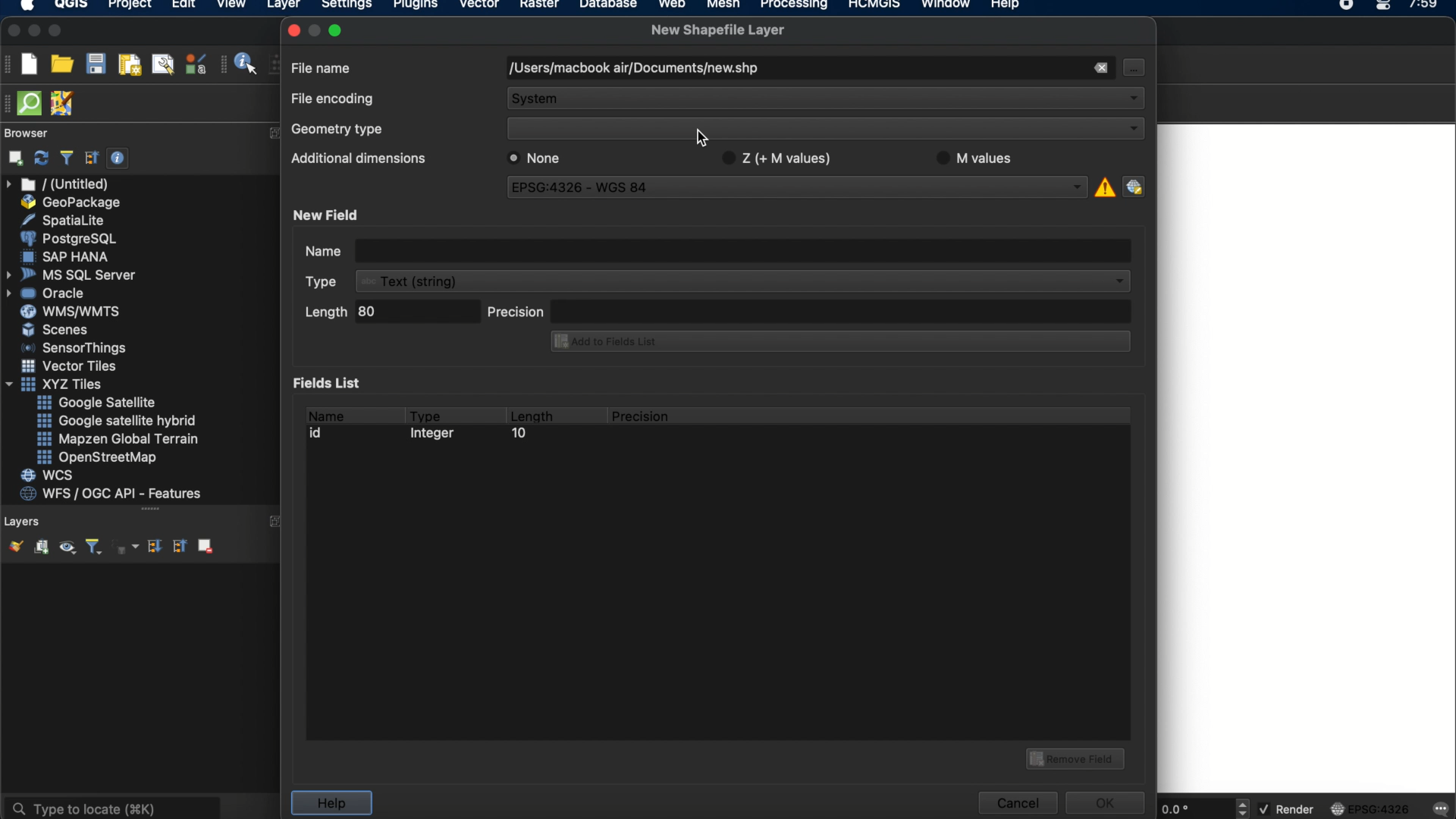 The height and width of the screenshot is (819, 1456). Describe the element at coordinates (356, 156) in the screenshot. I see `additional dimensions` at that location.